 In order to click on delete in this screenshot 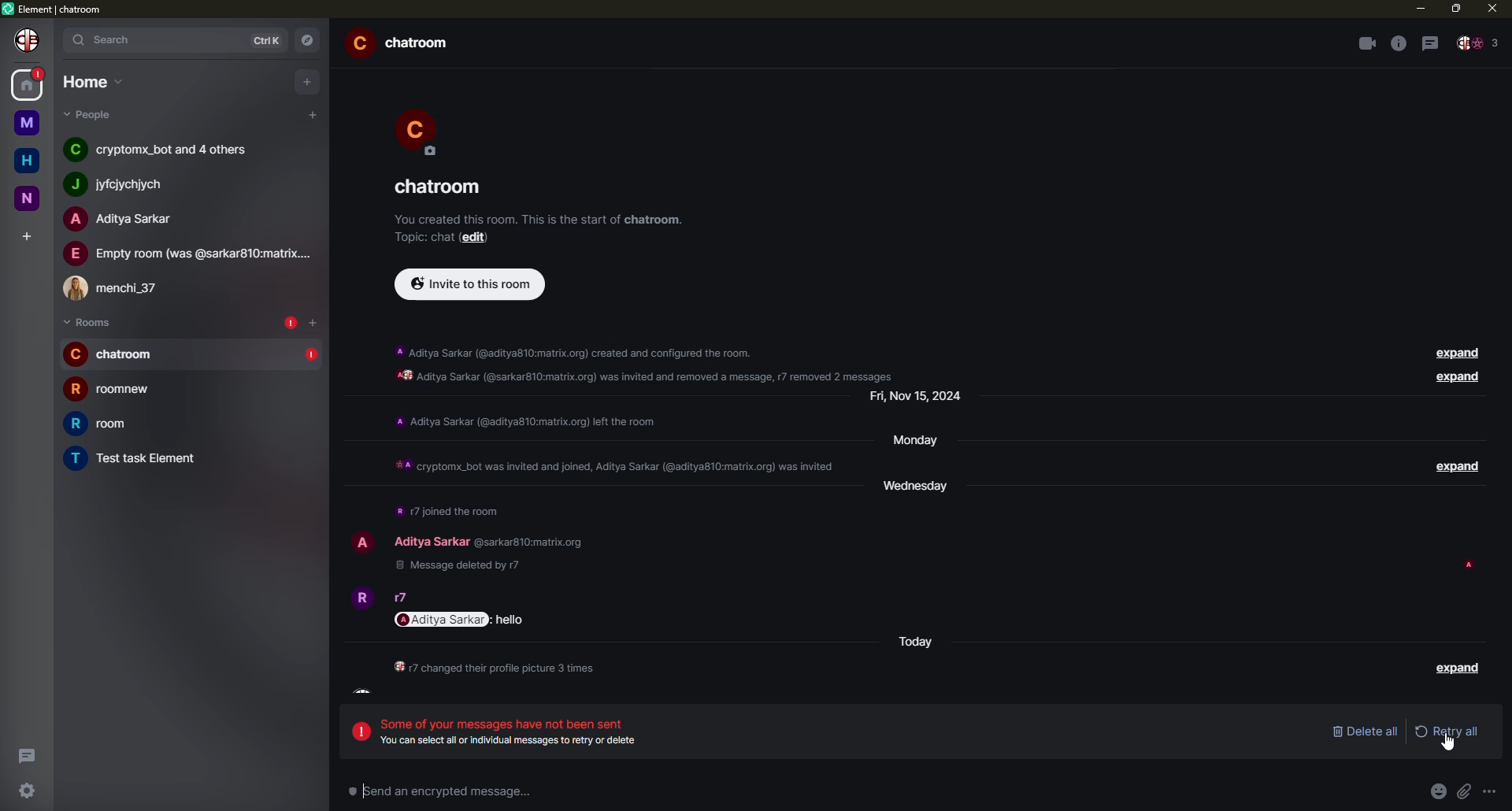, I will do `click(1366, 730)`.